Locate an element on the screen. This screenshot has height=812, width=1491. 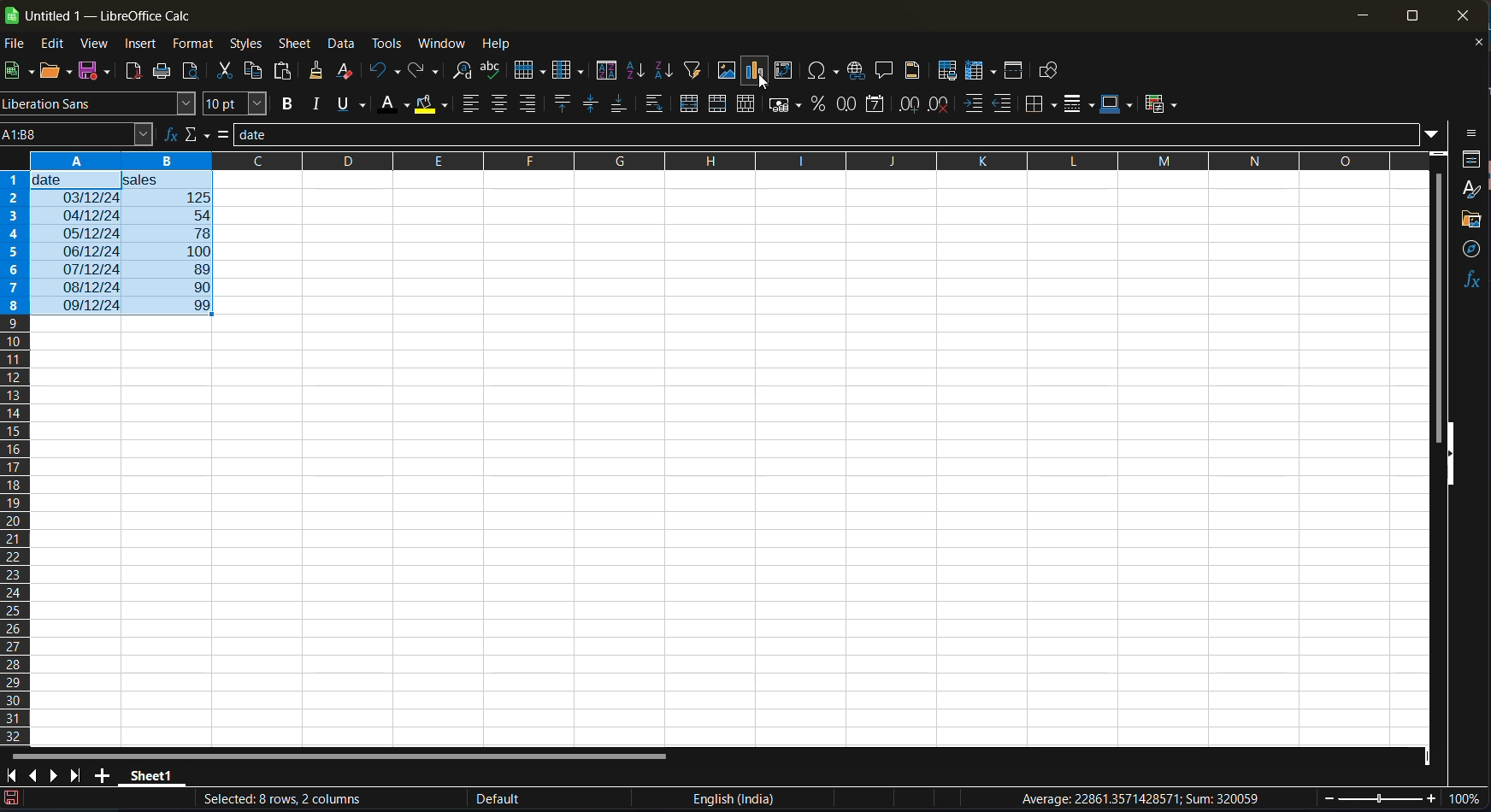
sheet is located at coordinates (297, 44).